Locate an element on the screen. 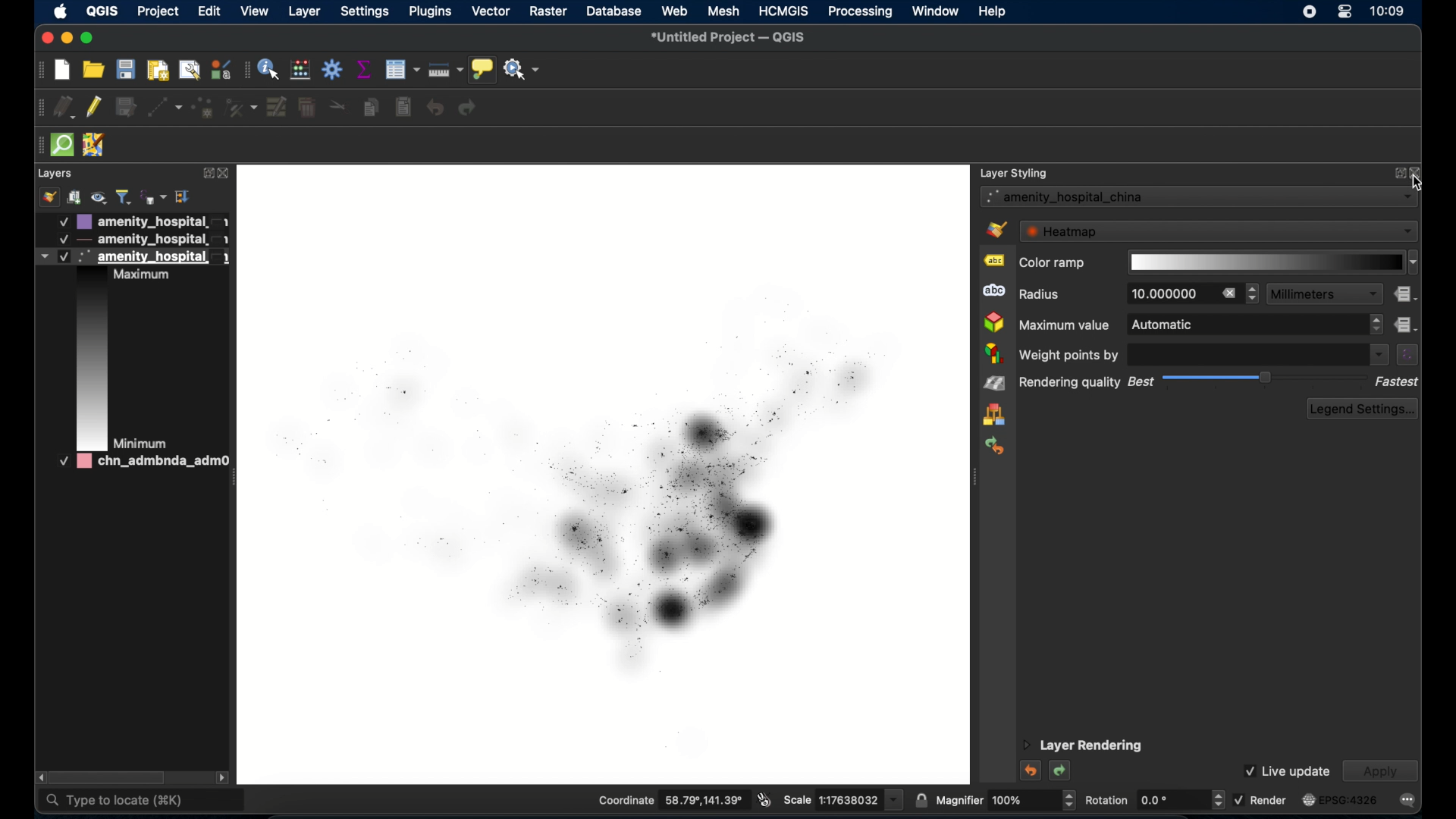  layers is located at coordinates (56, 173).